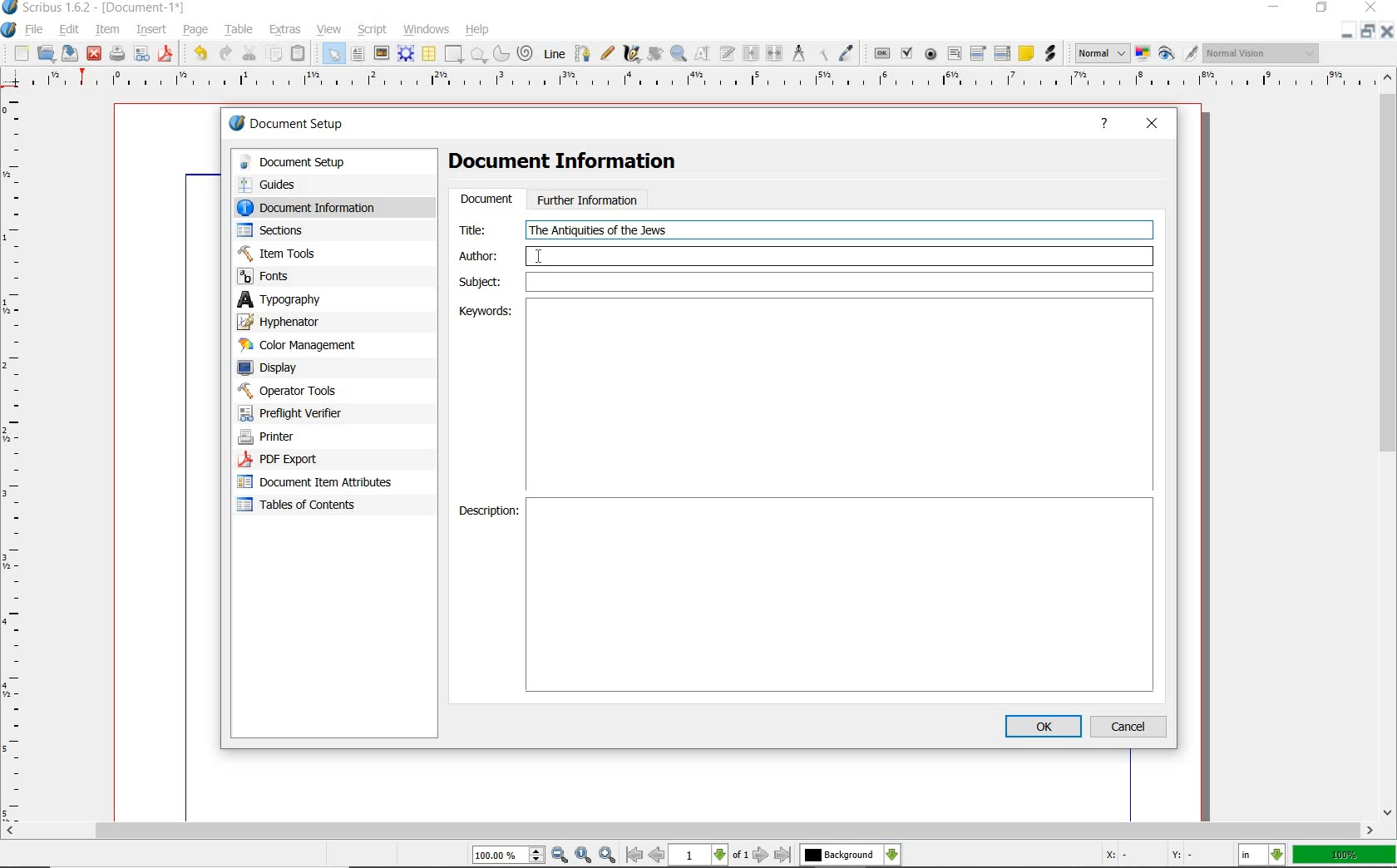  I want to click on Keywords, so click(842, 394).